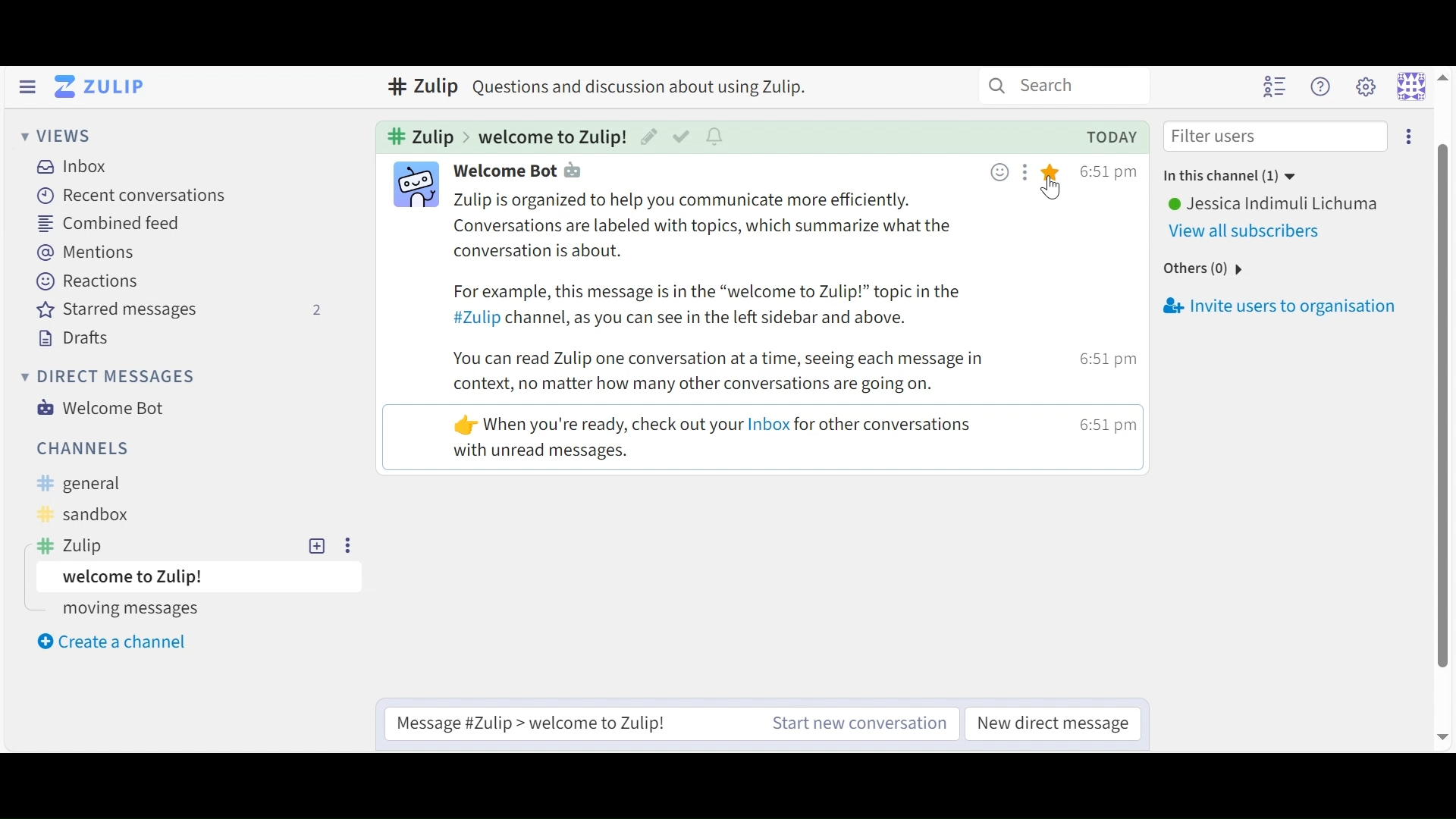 The image size is (1456, 819). I want to click on search, so click(1096, 85).